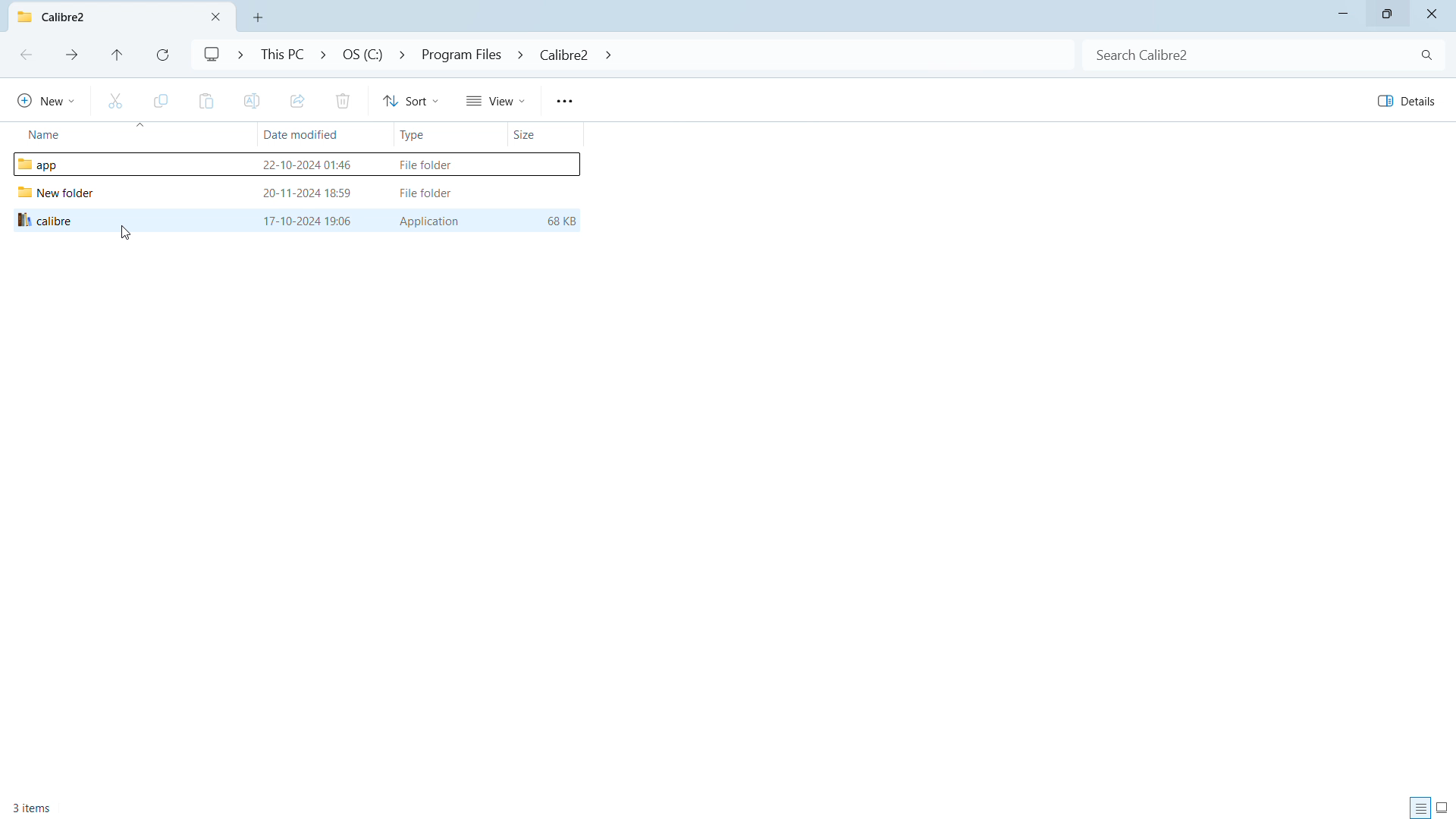 The width and height of the screenshot is (1456, 819). I want to click on Application, so click(431, 221).